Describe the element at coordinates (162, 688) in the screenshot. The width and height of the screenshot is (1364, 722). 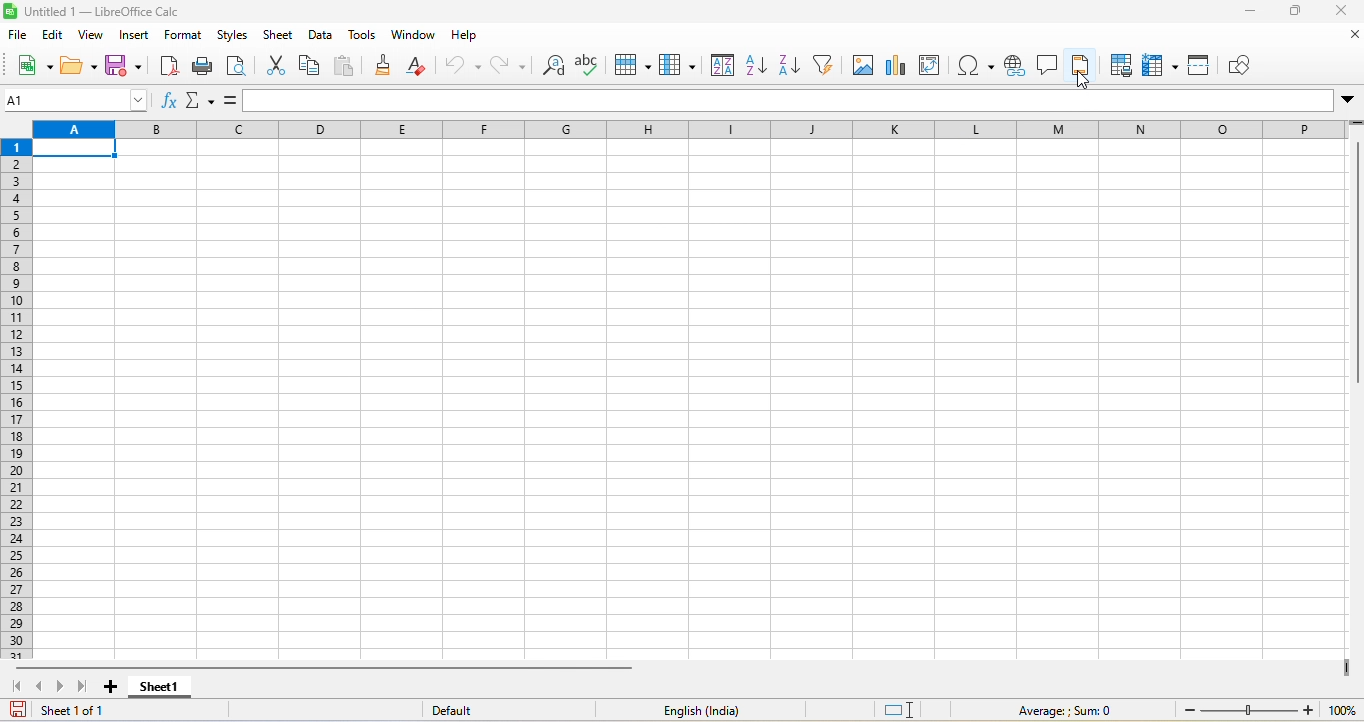
I see `sheet1` at that location.